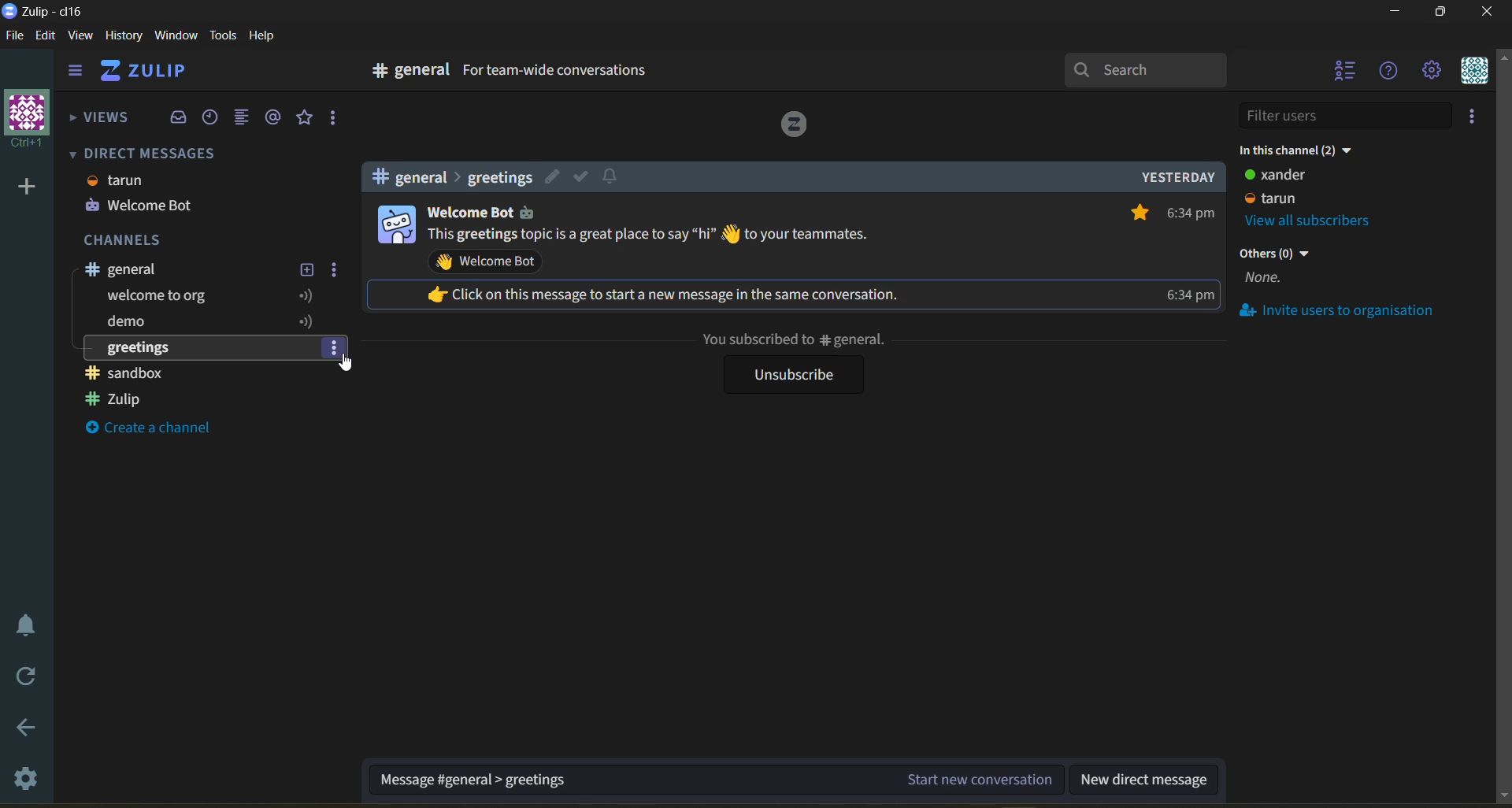 The image size is (1512, 808). I want to click on new direct message, so click(1144, 776).